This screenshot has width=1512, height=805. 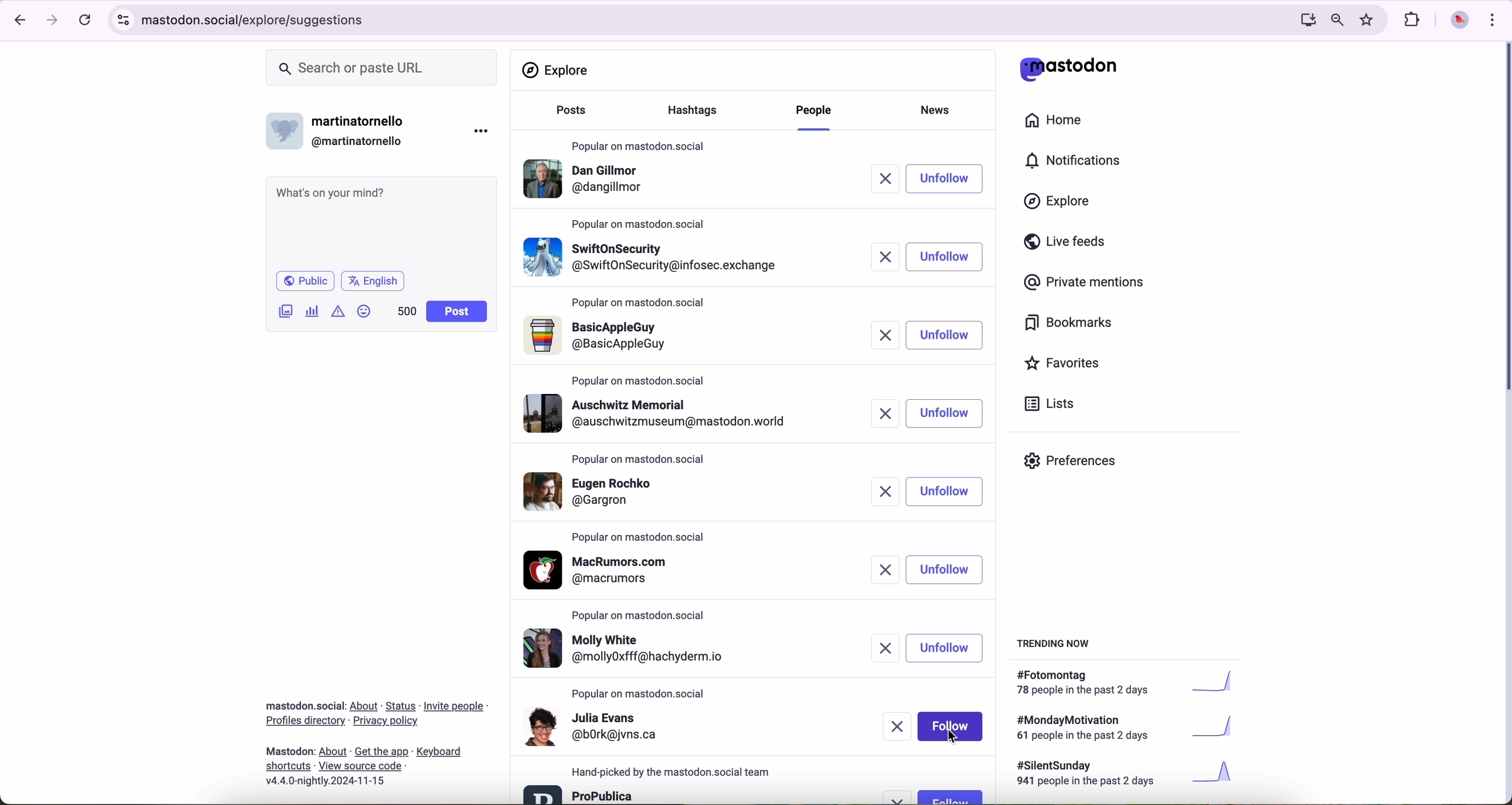 What do you see at coordinates (568, 116) in the screenshot?
I see `posts` at bounding box center [568, 116].